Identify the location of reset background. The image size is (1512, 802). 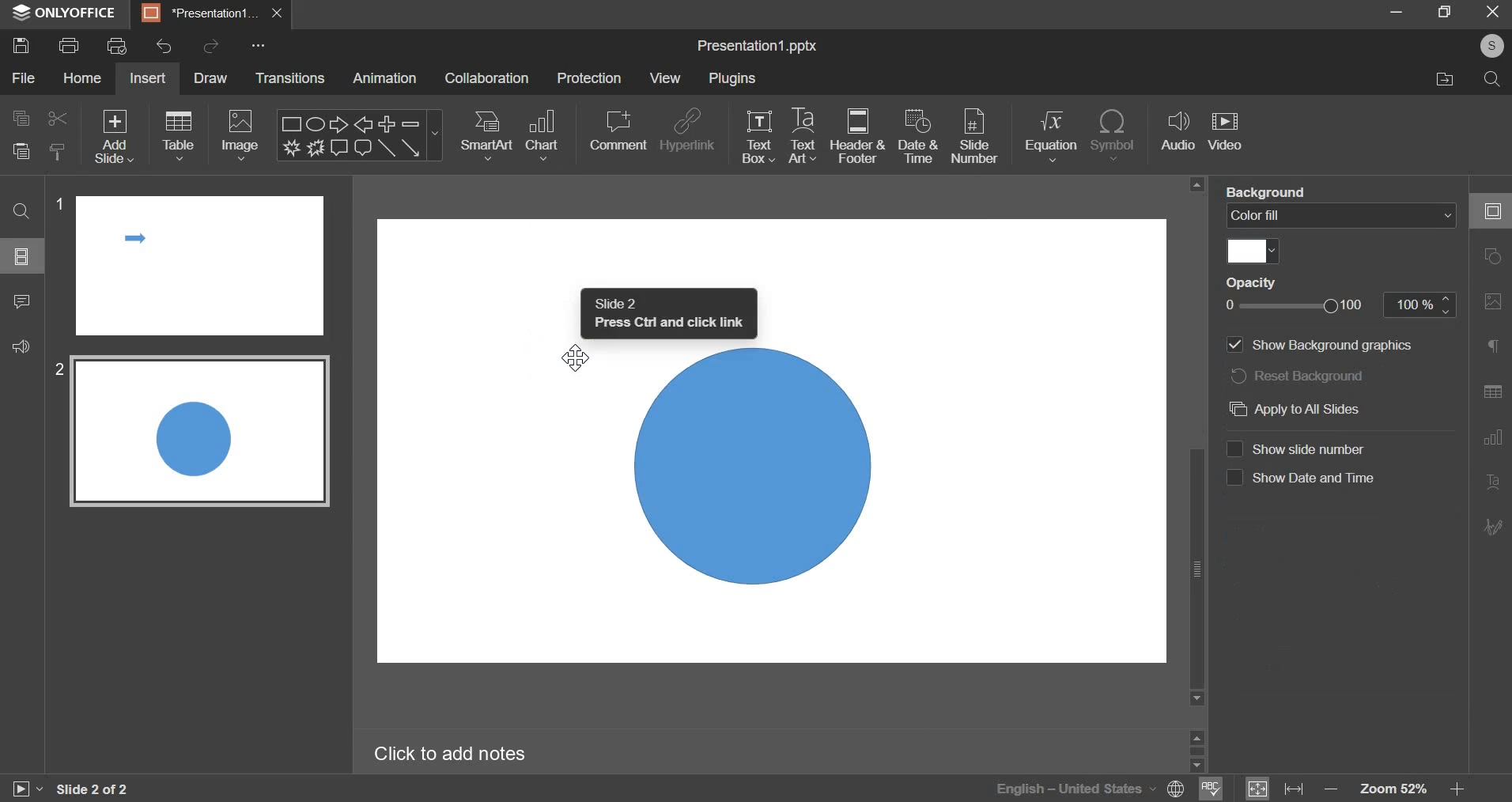
(1311, 375).